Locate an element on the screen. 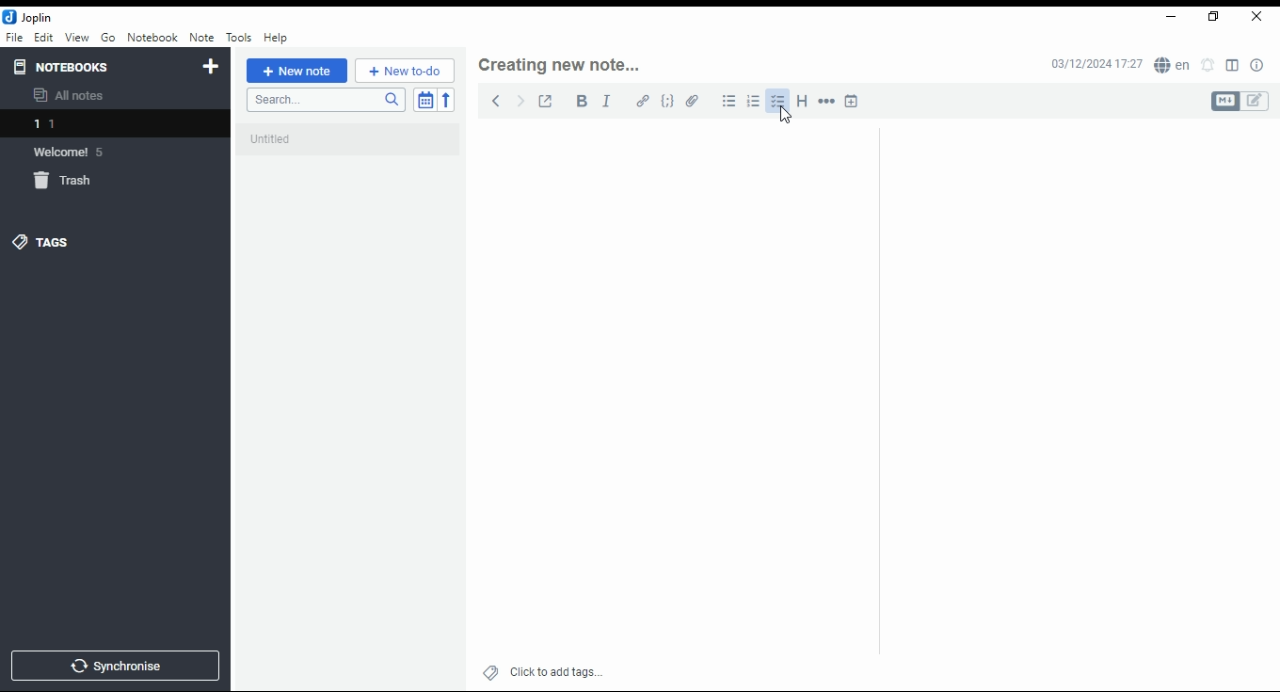  notebook 1 is located at coordinates (84, 123).